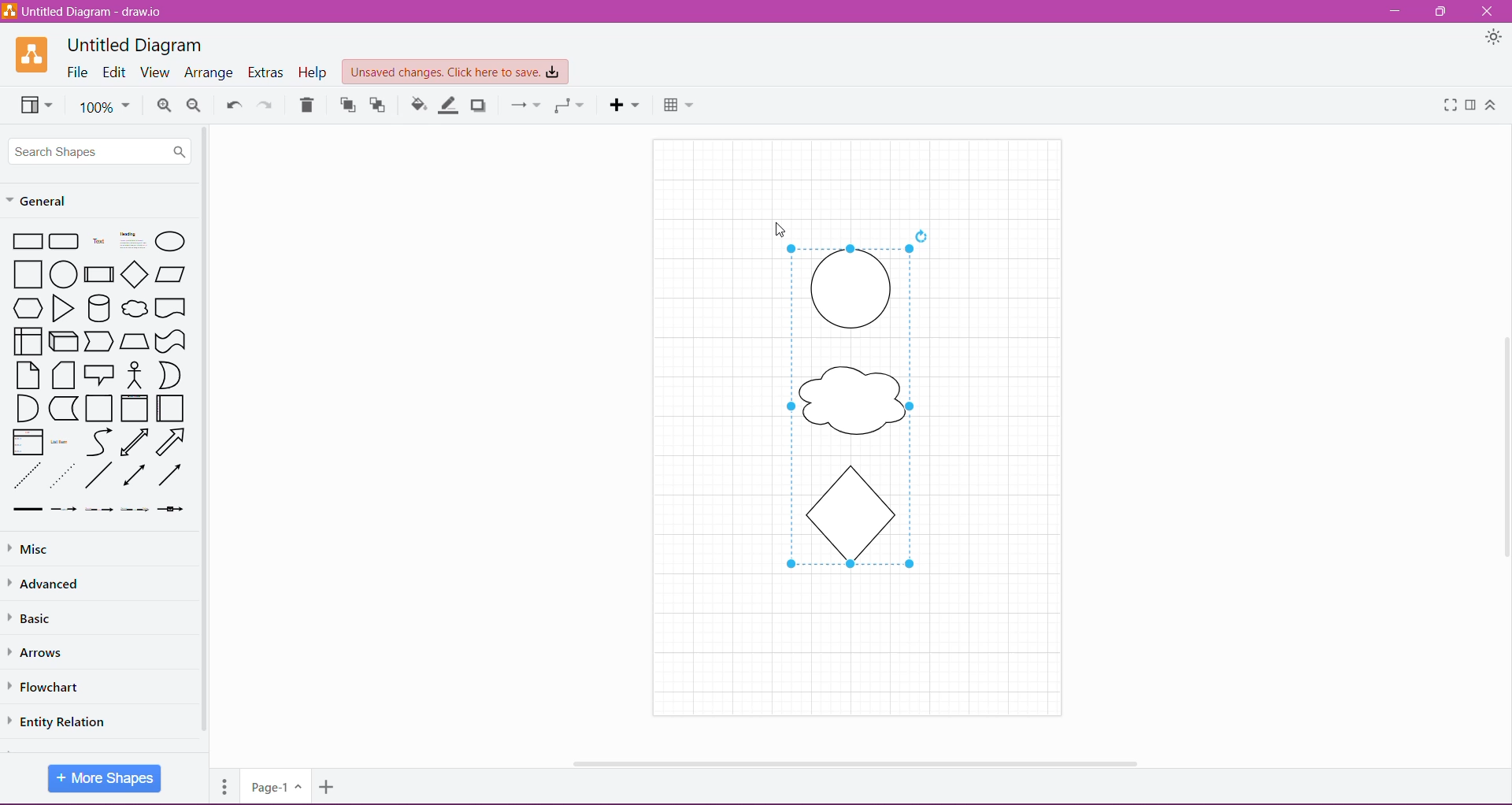  Describe the element at coordinates (39, 618) in the screenshot. I see `Basic` at that location.